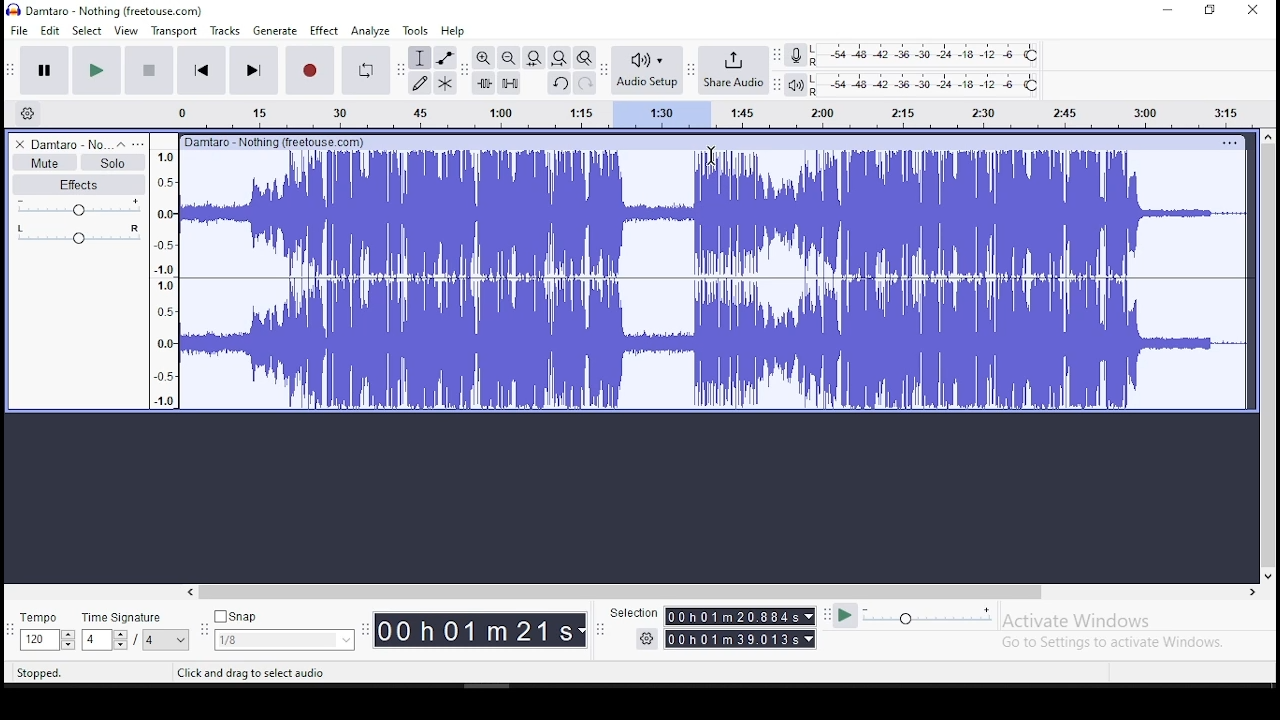 This screenshot has width=1280, height=720. Describe the element at coordinates (38, 641) in the screenshot. I see `120` at that location.